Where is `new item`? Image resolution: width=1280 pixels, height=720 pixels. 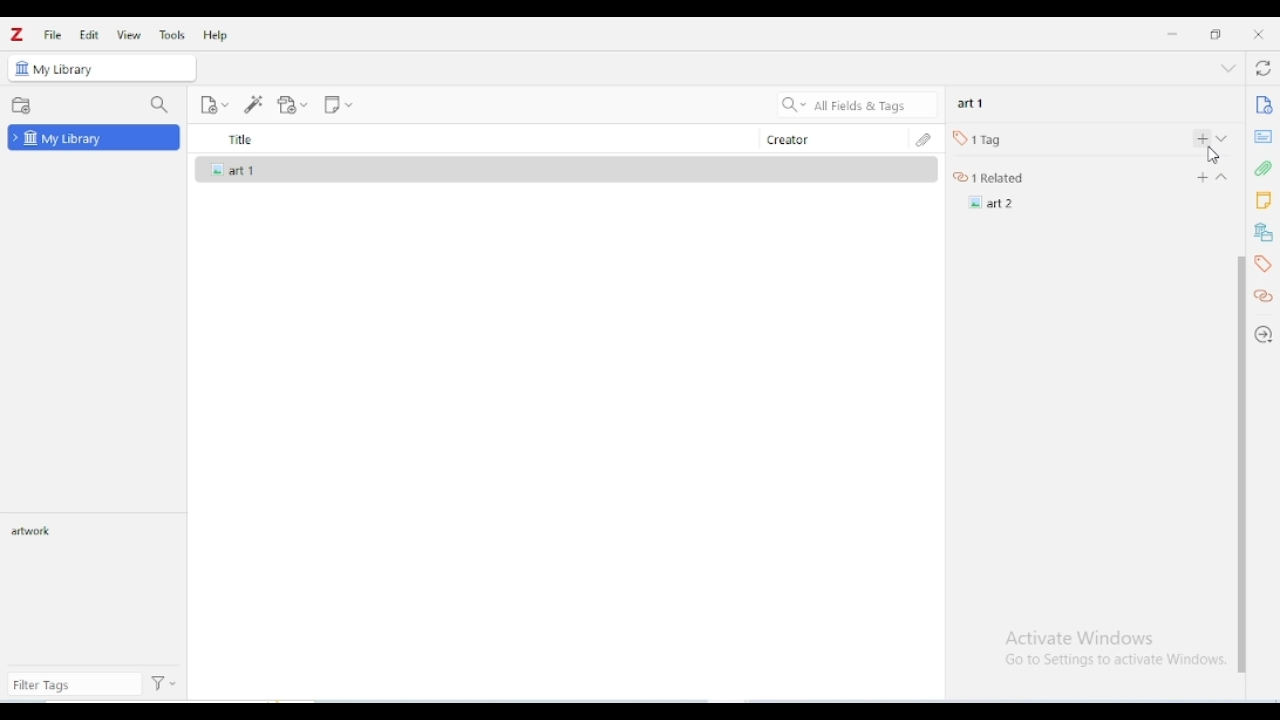 new item is located at coordinates (214, 105).